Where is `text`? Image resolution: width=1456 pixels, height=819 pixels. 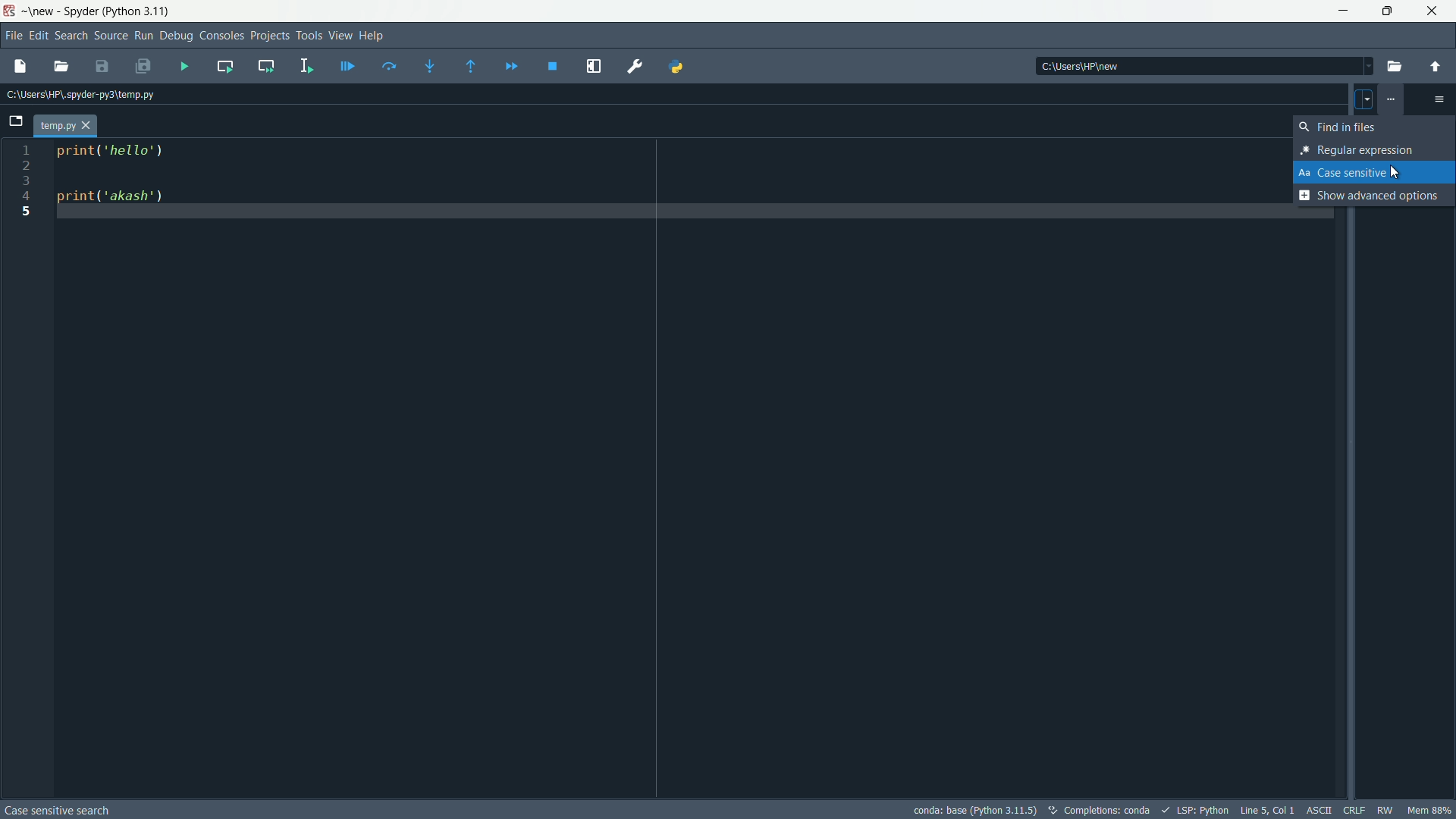
text is located at coordinates (58, 812).